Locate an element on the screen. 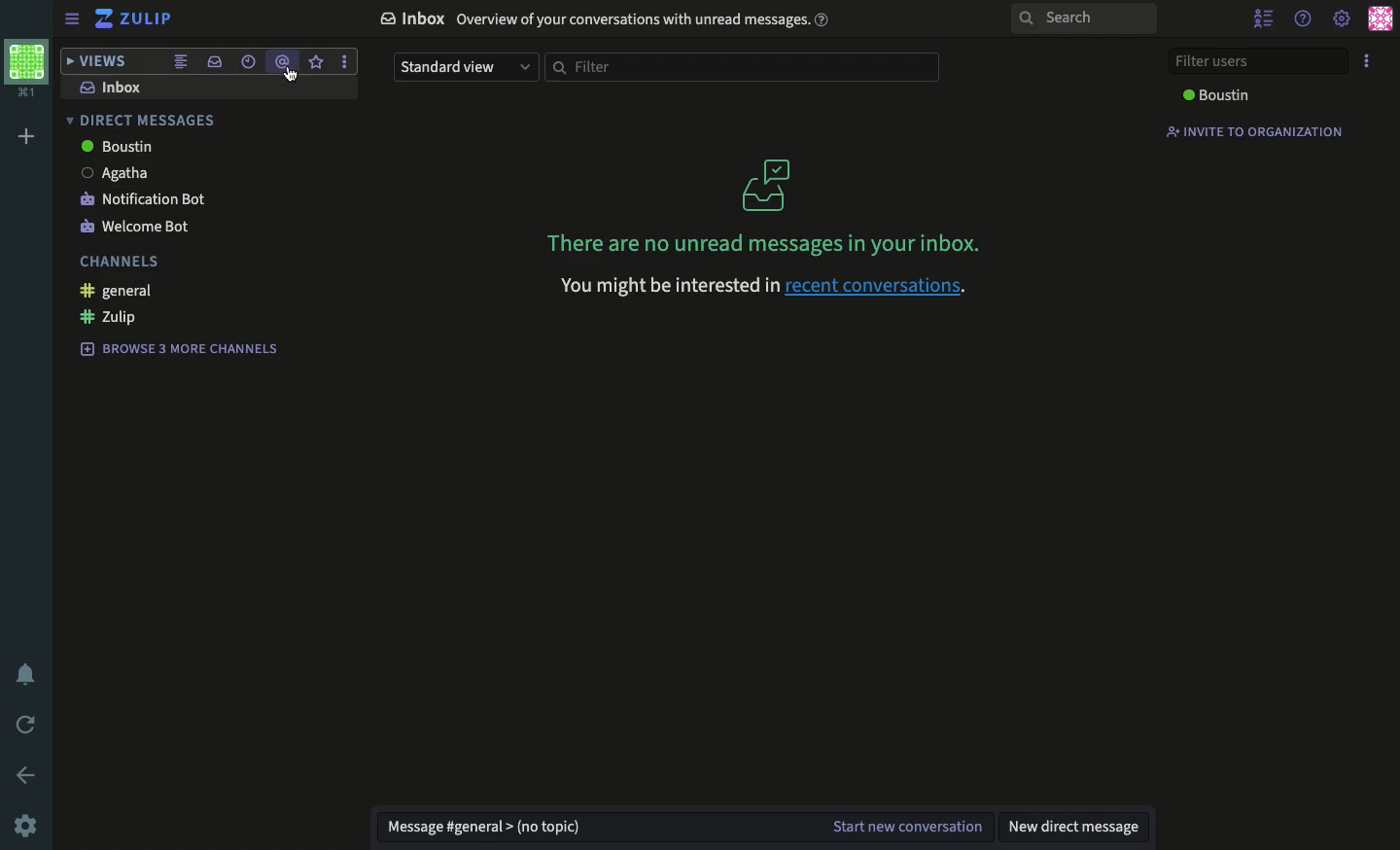  views is located at coordinates (93, 61).